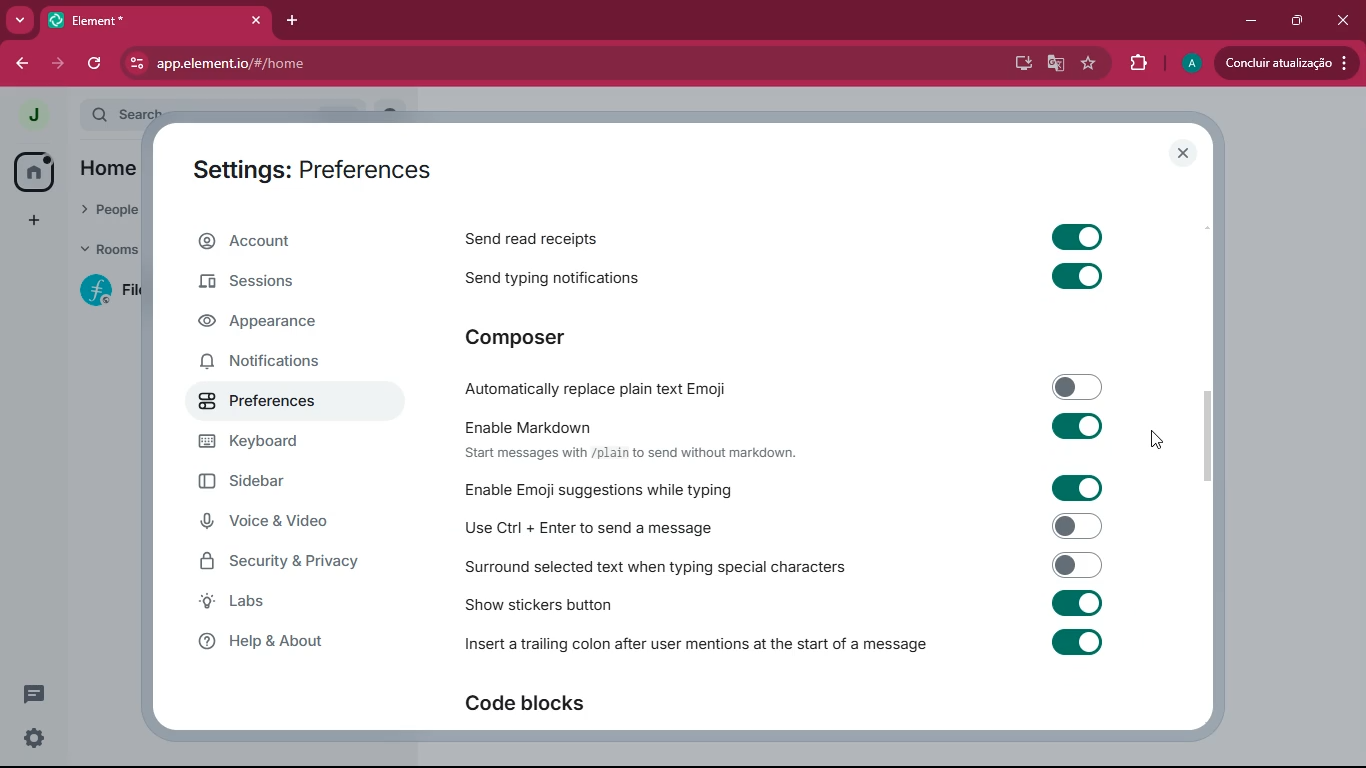 This screenshot has width=1366, height=768. I want to click on scroll bar, so click(1210, 439).